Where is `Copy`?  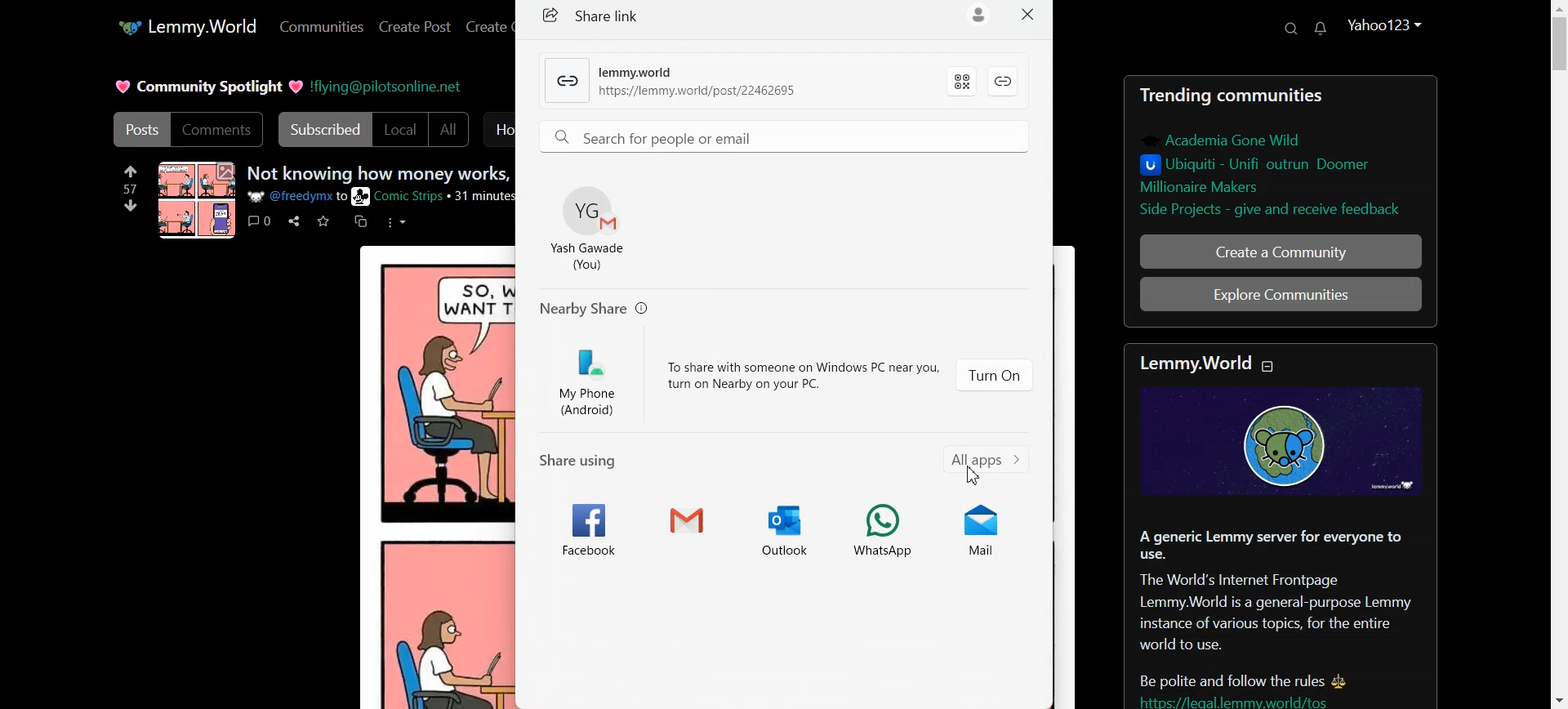 Copy is located at coordinates (361, 222).